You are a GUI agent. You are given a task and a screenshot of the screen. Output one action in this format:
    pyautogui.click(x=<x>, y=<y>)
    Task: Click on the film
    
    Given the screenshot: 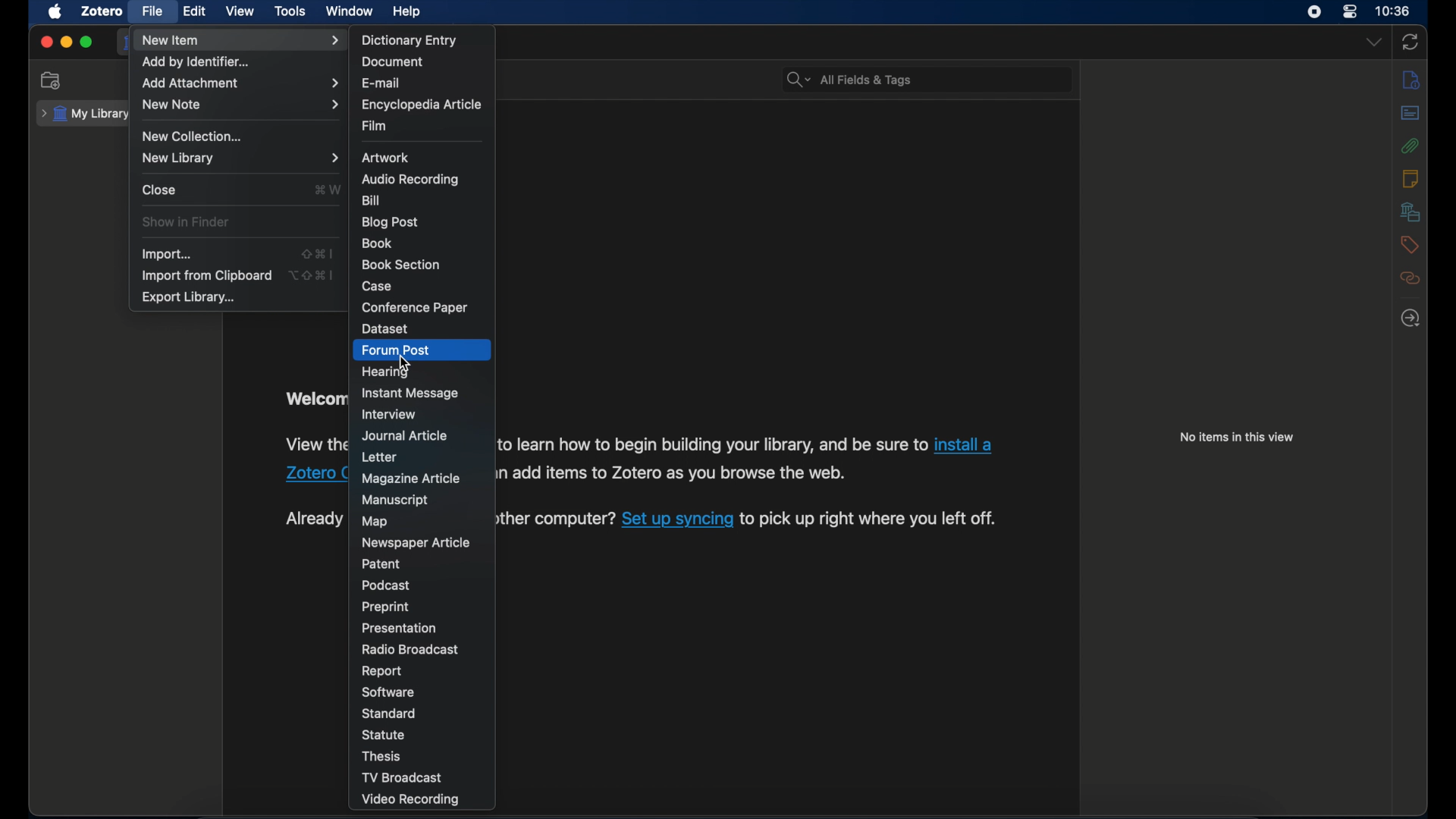 What is the action you would take?
    pyautogui.click(x=376, y=126)
    